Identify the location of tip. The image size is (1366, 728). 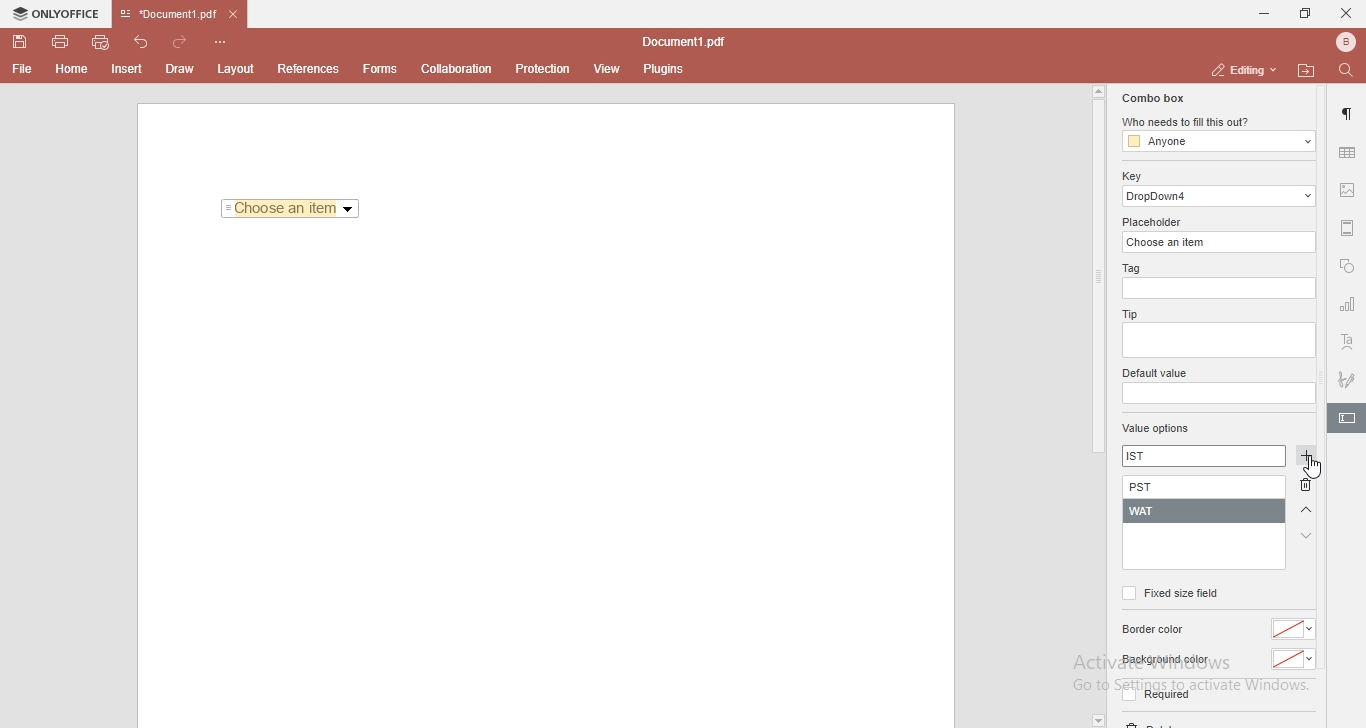
(1127, 313).